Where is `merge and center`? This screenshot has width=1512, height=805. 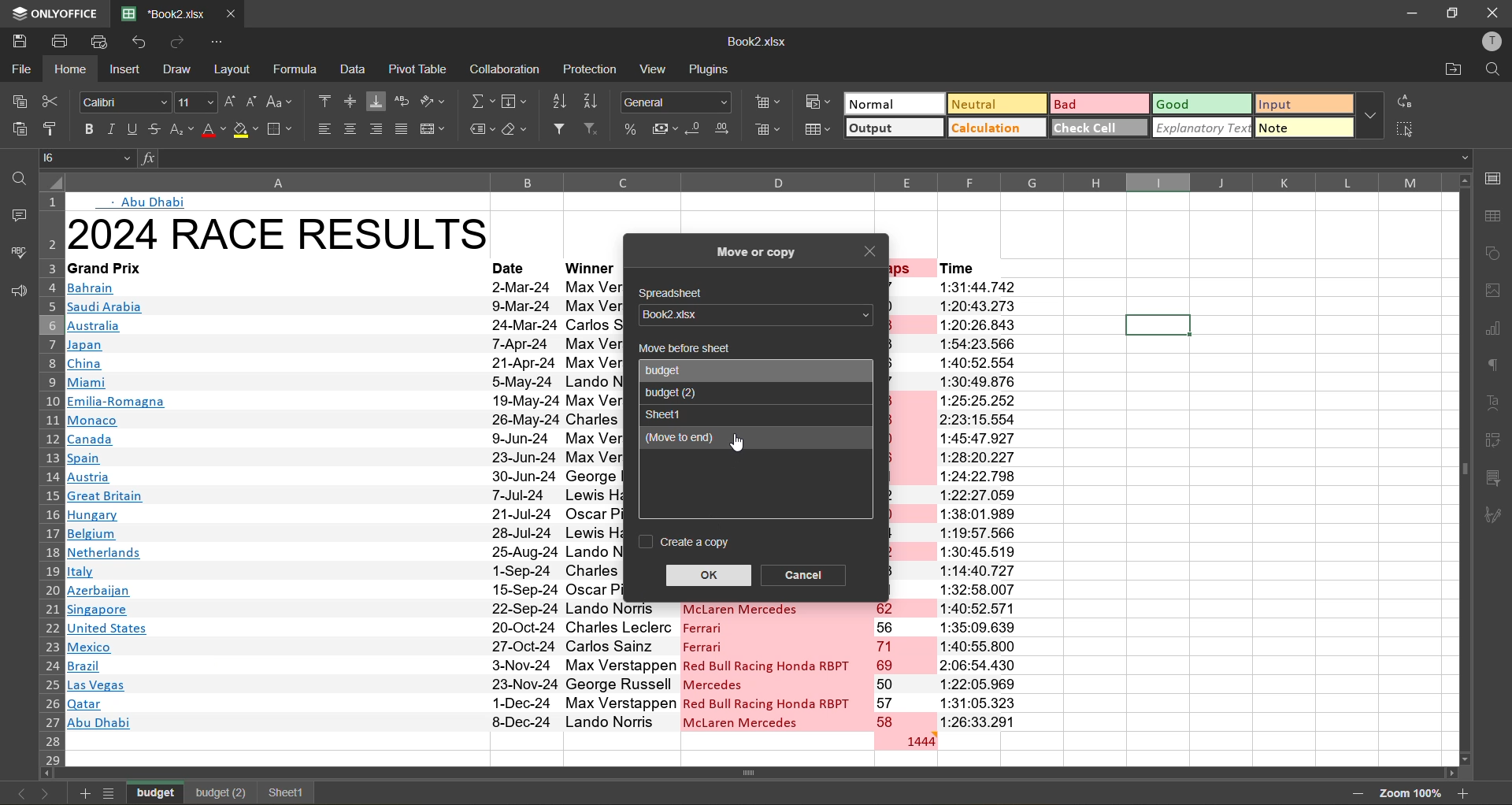
merge and center is located at coordinates (435, 128).